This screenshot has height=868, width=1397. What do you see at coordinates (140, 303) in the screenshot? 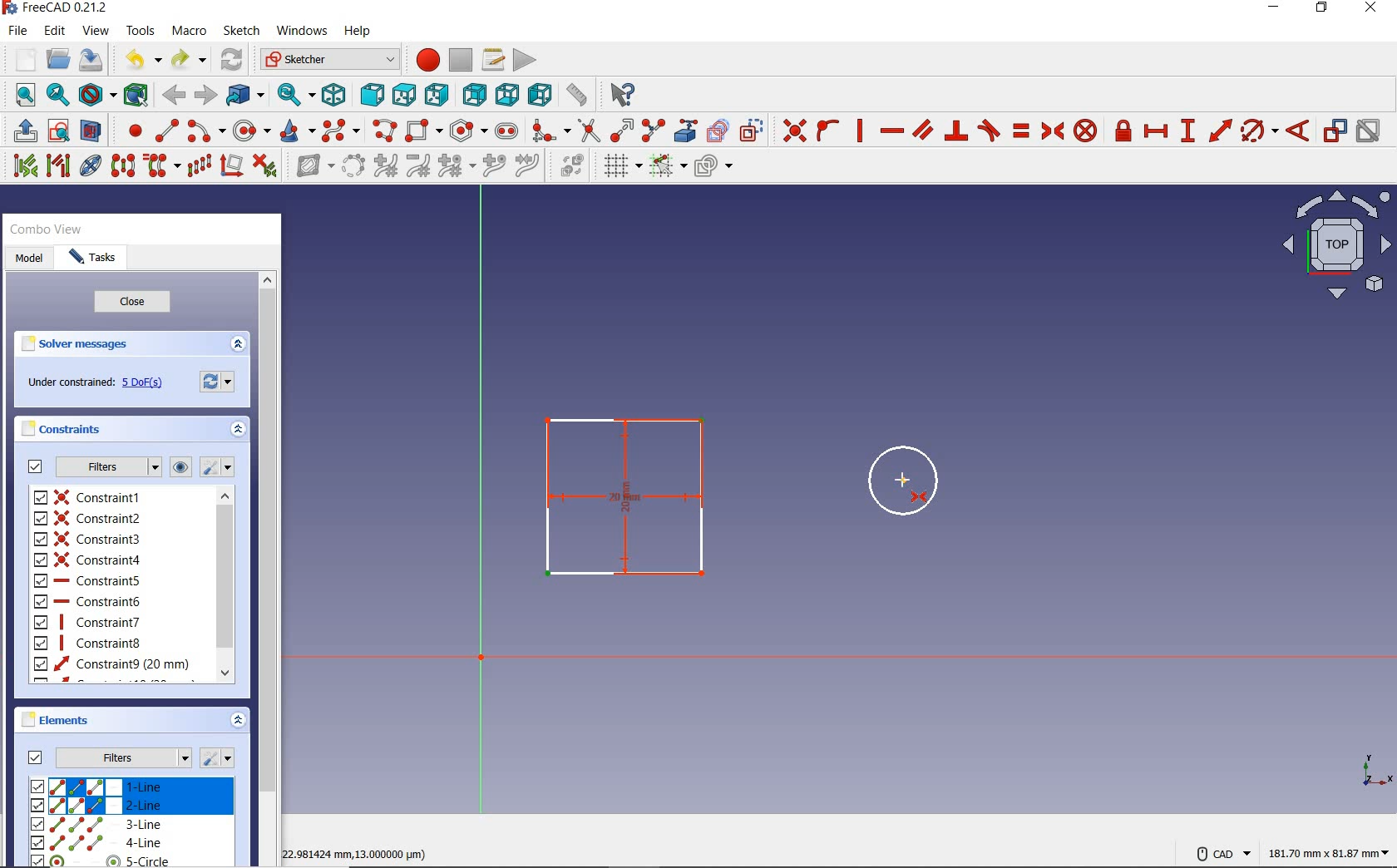
I see `close` at bounding box center [140, 303].